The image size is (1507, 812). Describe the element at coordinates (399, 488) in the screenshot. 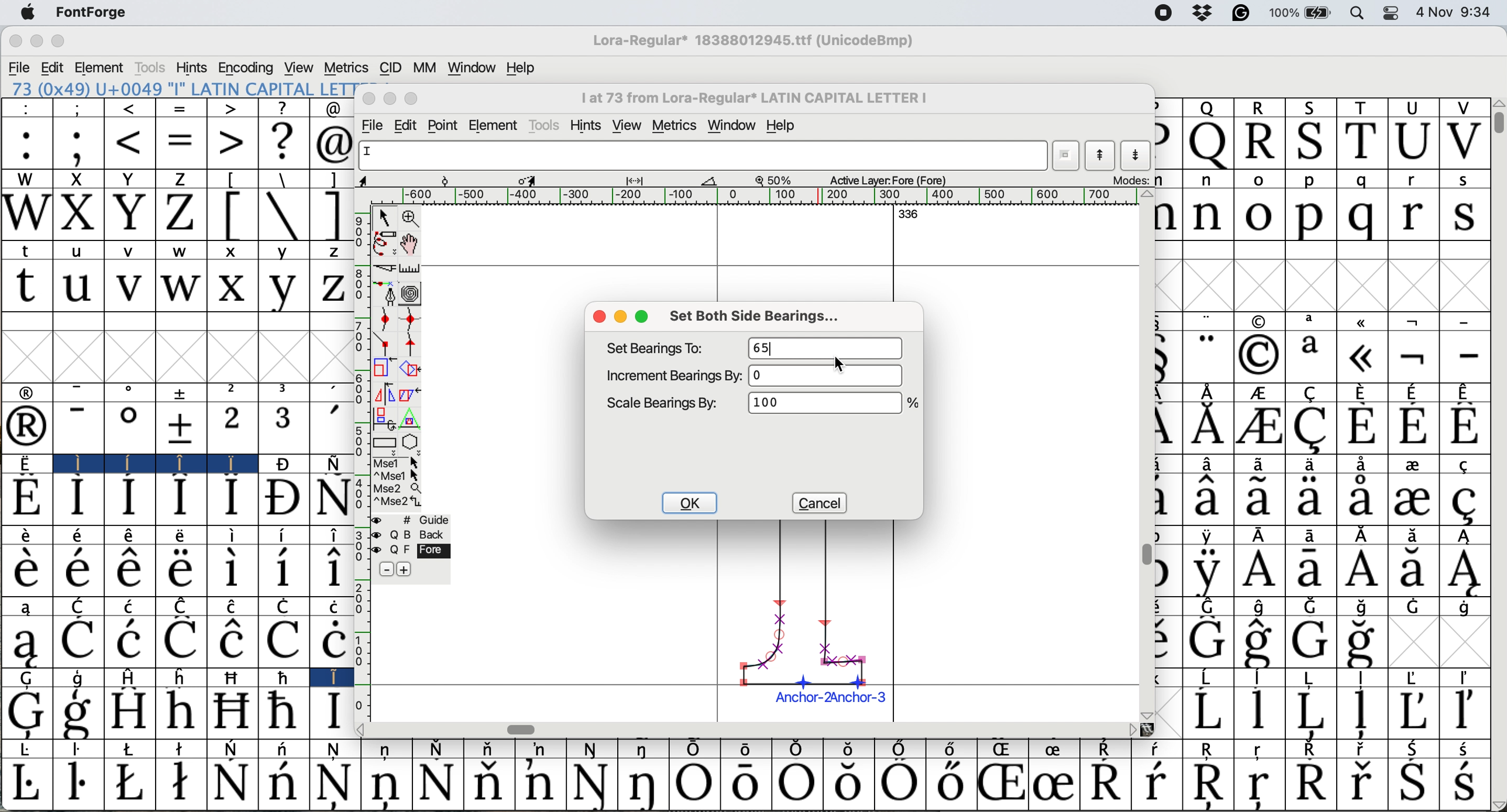

I see `Mse 2` at that location.